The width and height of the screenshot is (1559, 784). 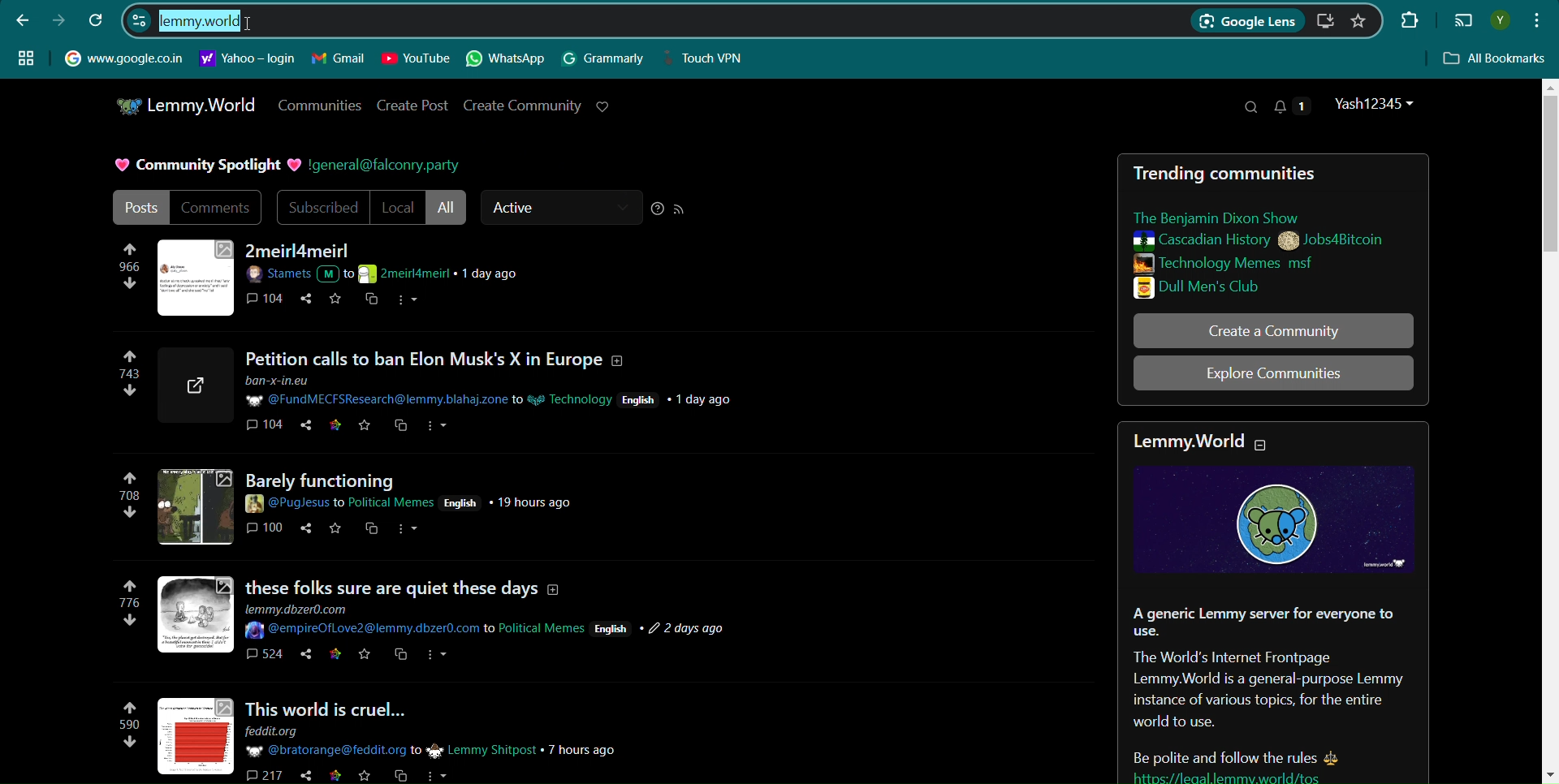 I want to click on Create Community, so click(x=522, y=105).